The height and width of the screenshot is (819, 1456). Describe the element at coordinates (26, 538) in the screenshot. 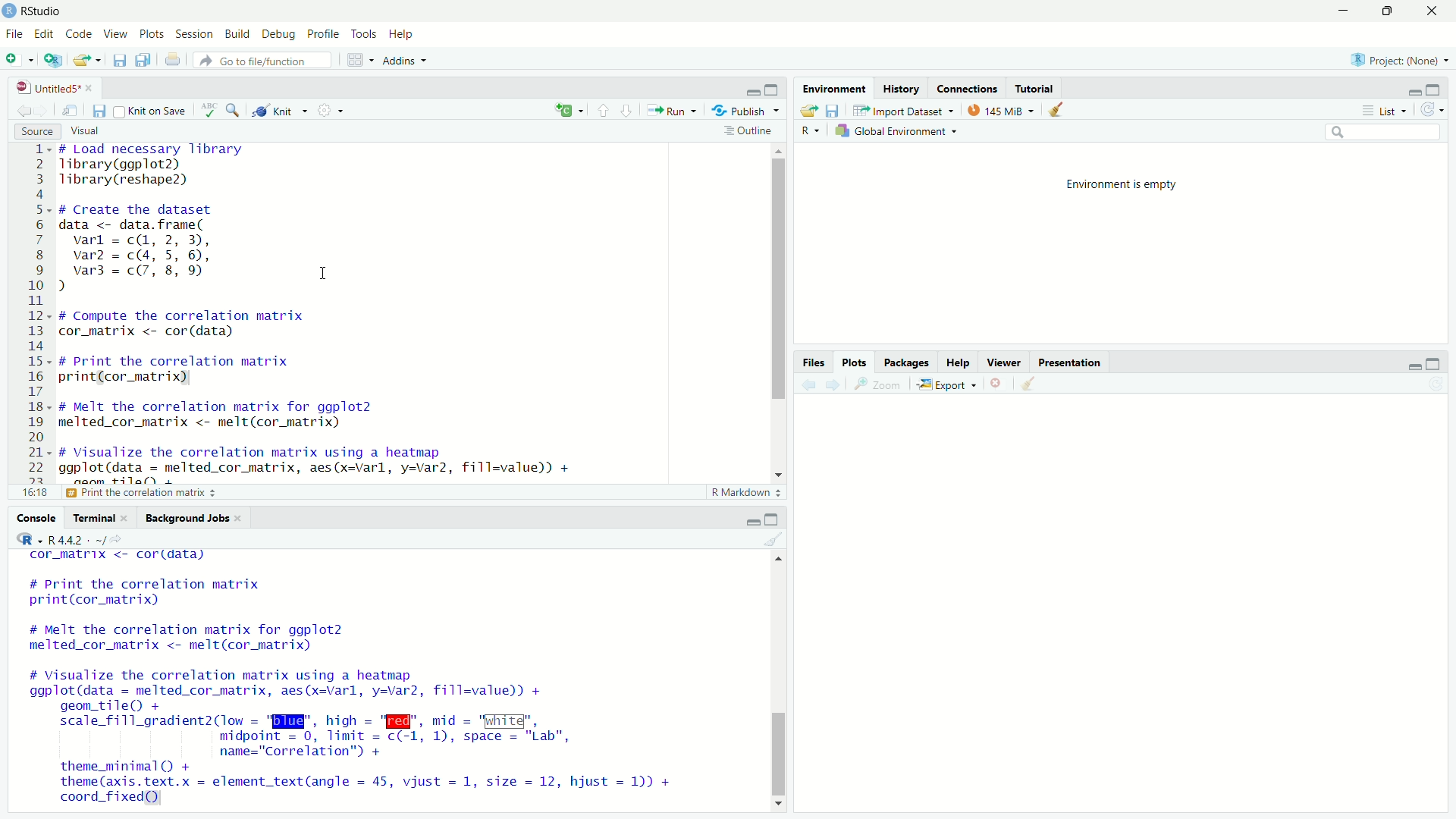

I see `R language` at that location.